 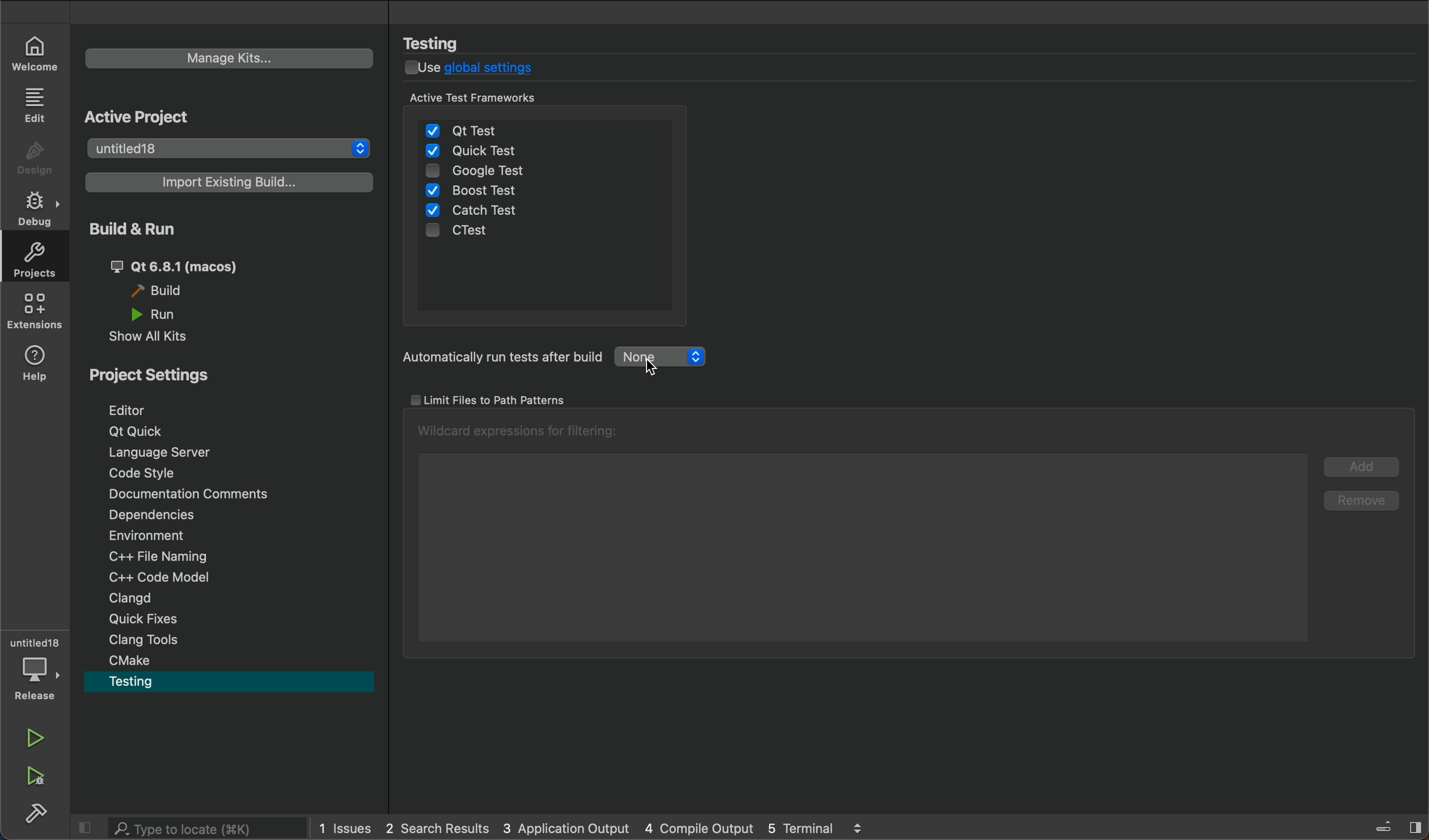 What do you see at coordinates (136, 429) in the screenshot?
I see `qt quick` at bounding box center [136, 429].